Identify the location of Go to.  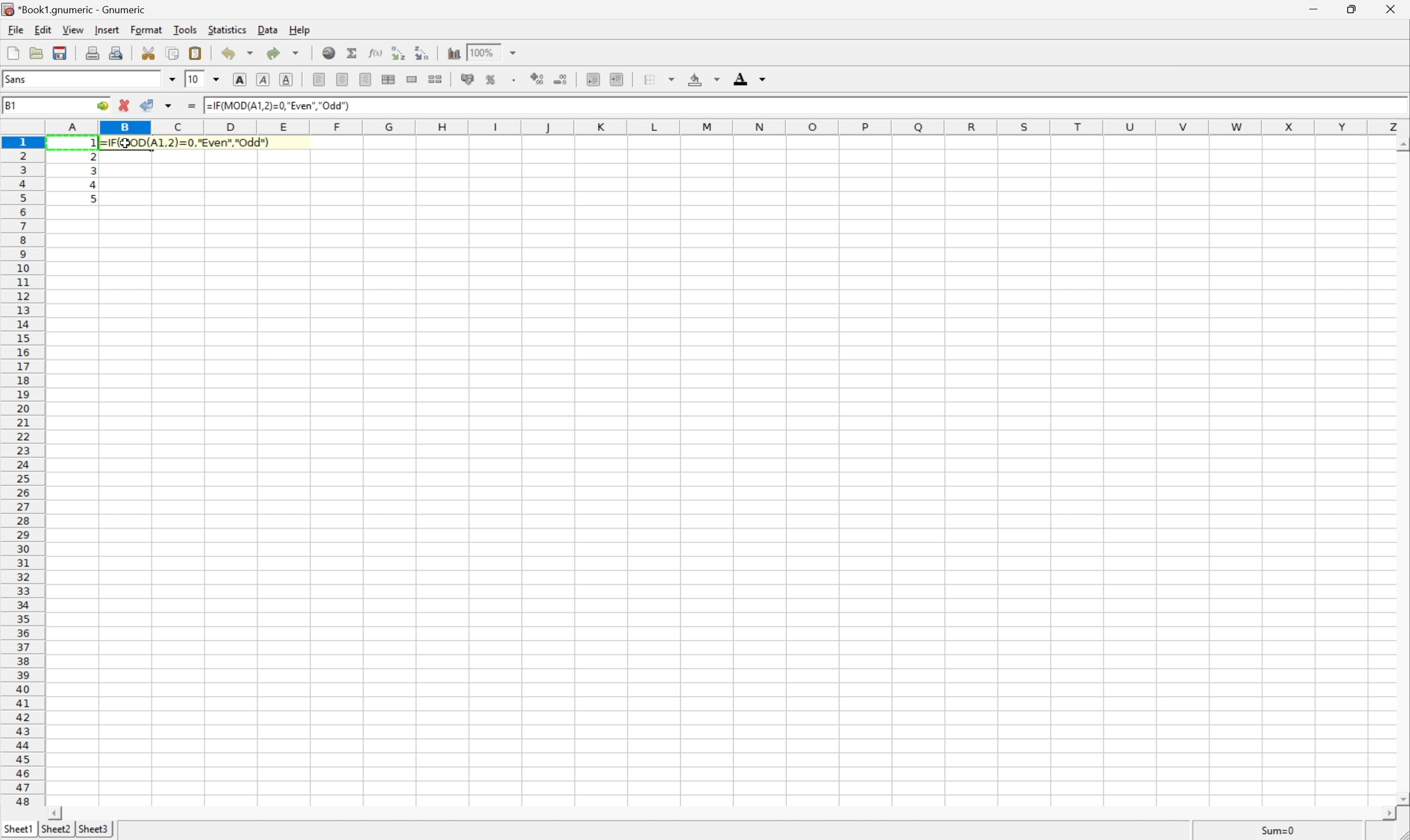
(102, 104).